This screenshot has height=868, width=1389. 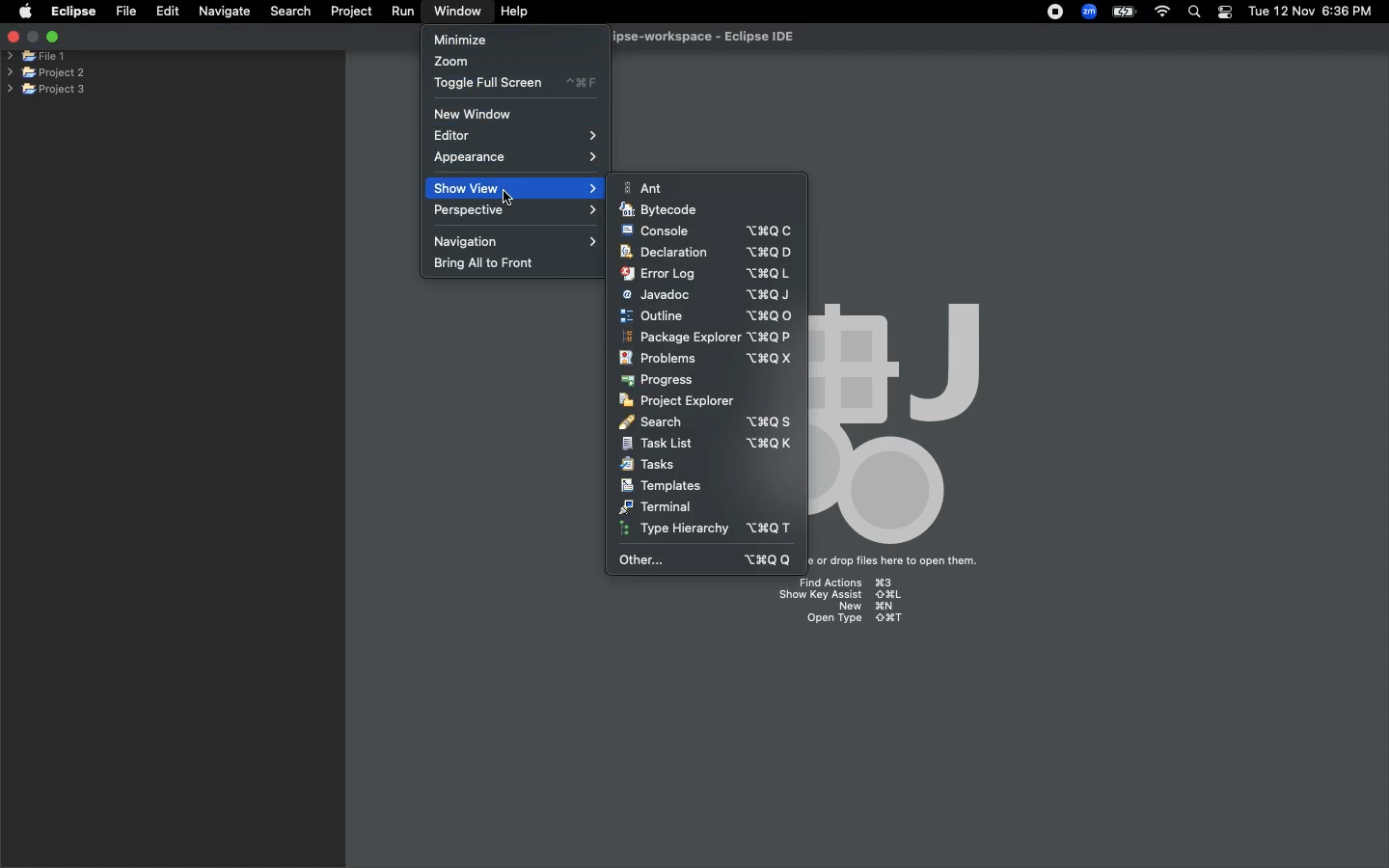 I want to click on Recording, so click(x=1056, y=14).